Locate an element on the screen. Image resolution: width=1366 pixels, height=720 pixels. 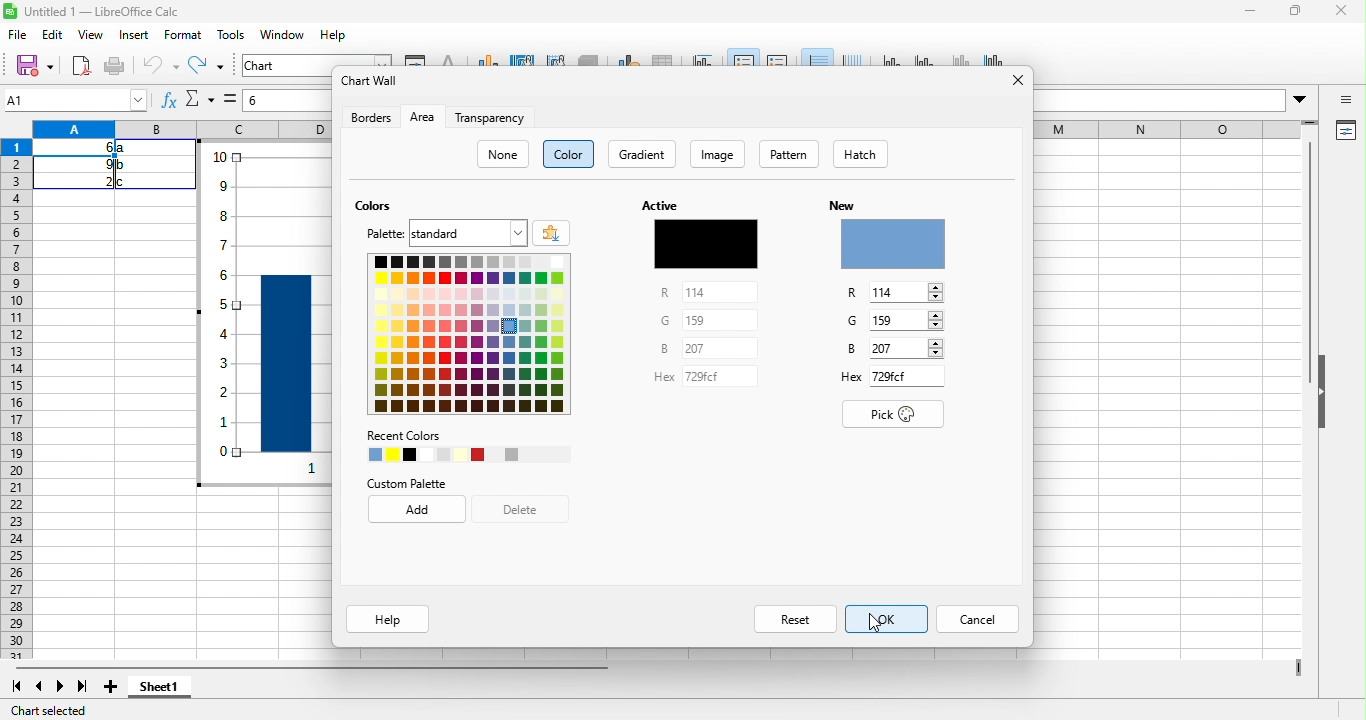
none is located at coordinates (499, 154).